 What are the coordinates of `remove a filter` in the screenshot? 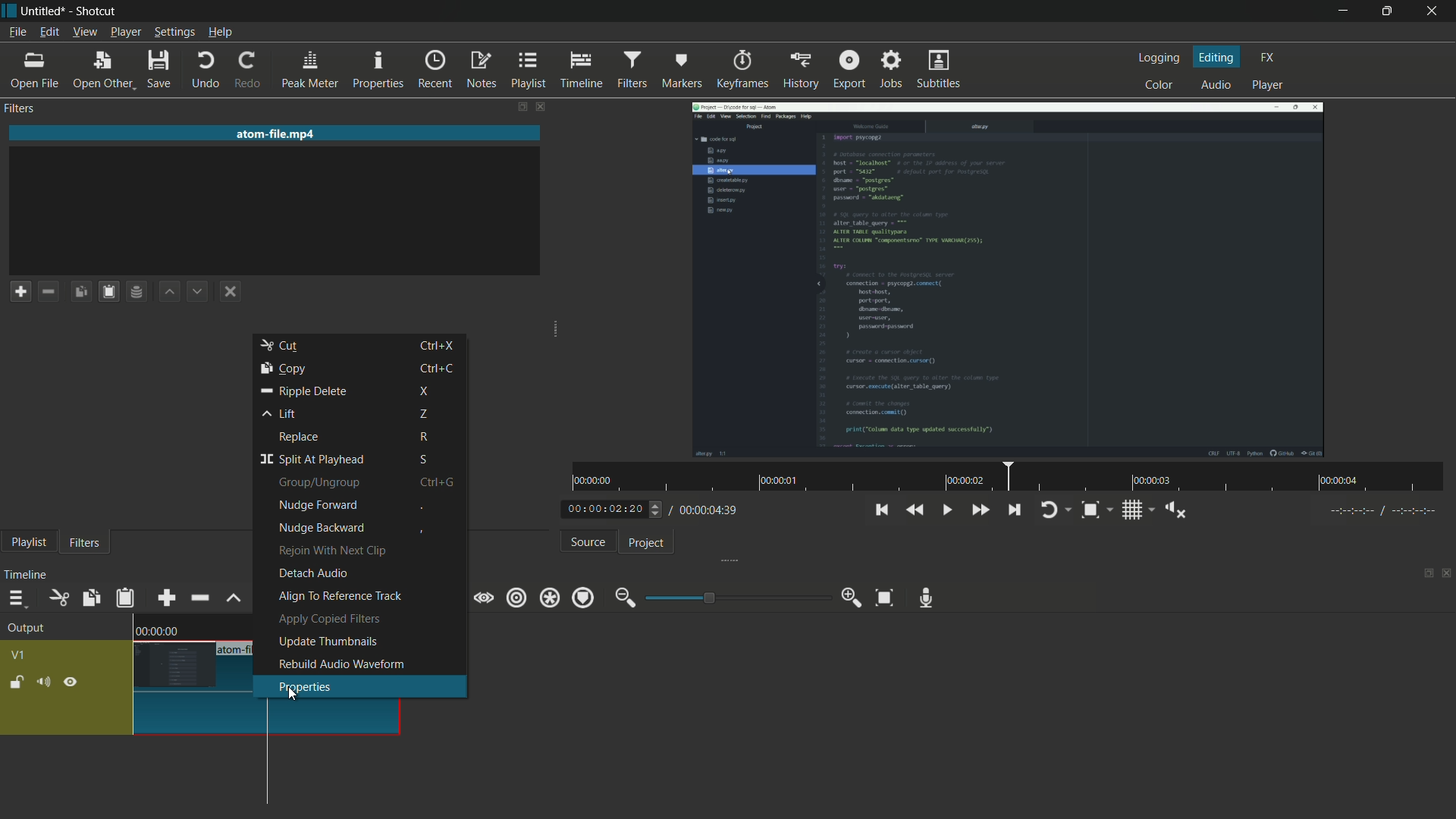 It's located at (48, 293).